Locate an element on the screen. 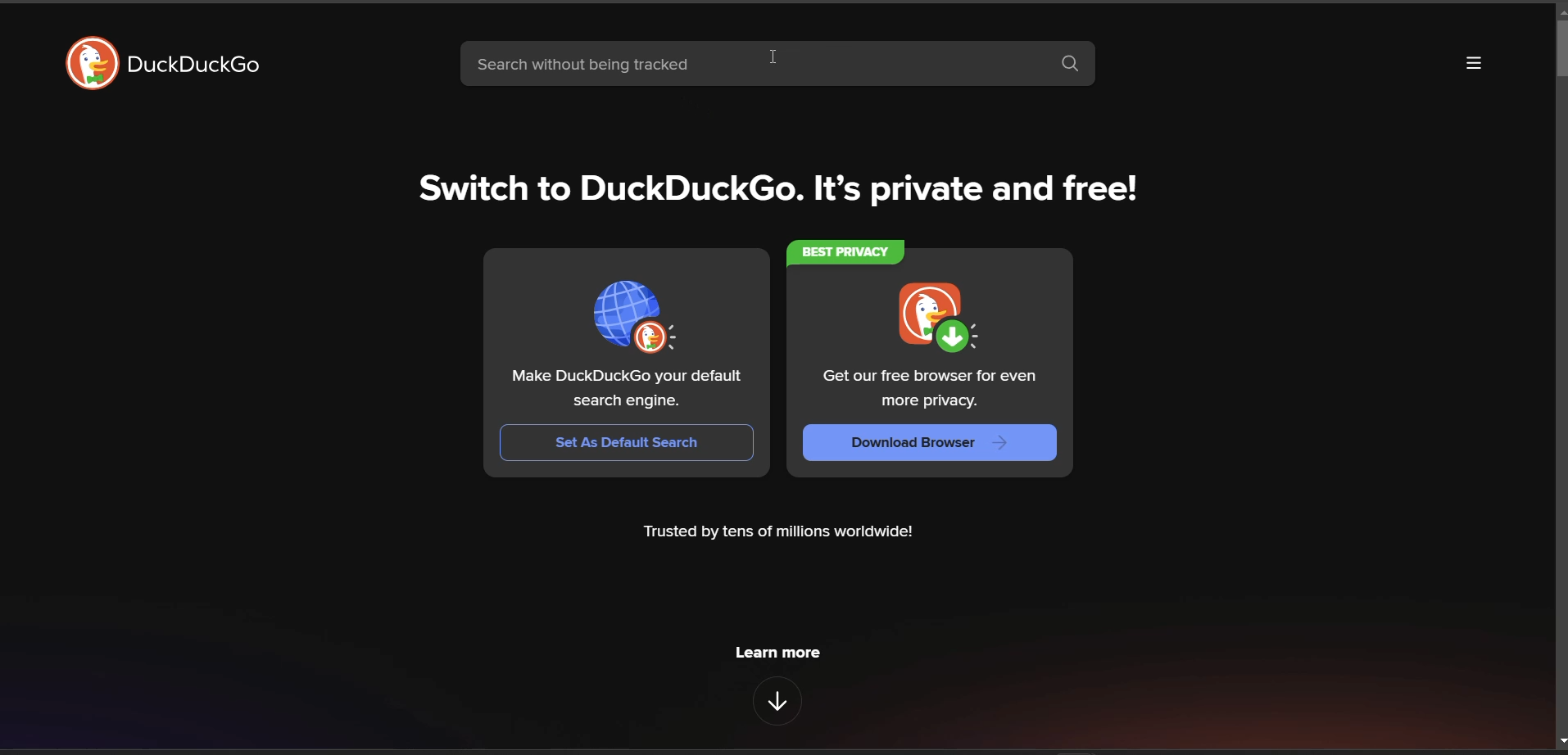 The height and width of the screenshot is (755, 1568). set as Default Search is located at coordinates (628, 442).